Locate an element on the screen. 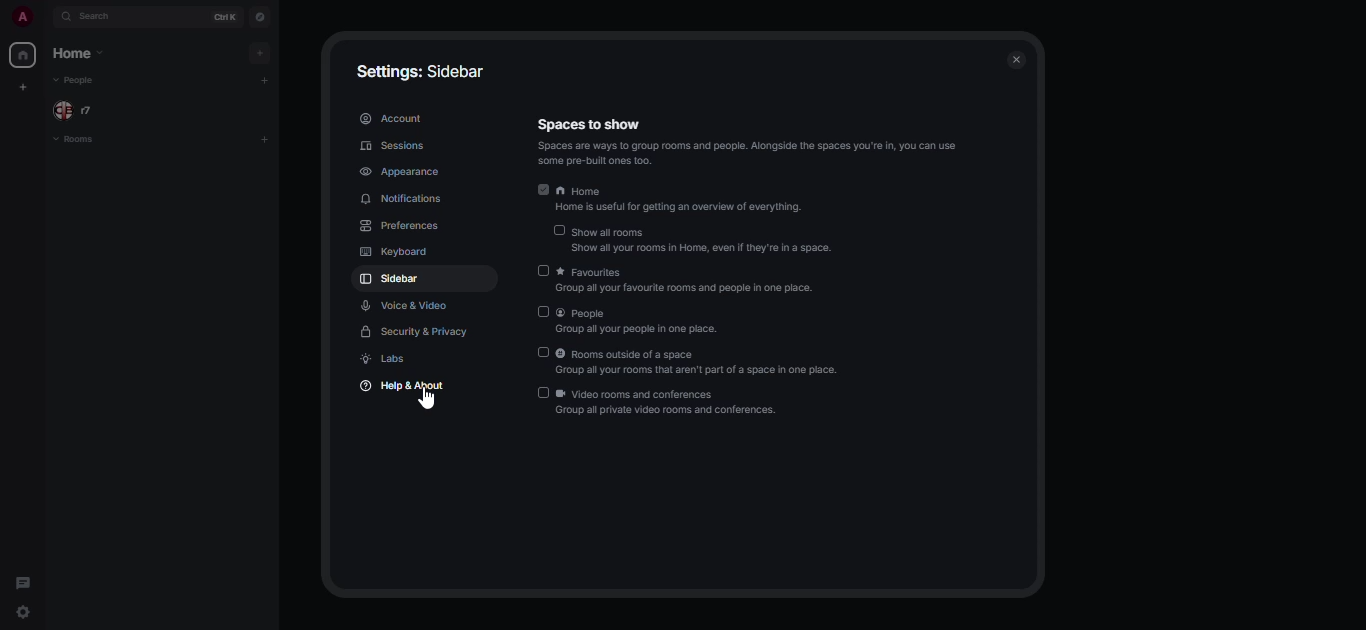 This screenshot has height=630, width=1366. disabled is located at coordinates (540, 392).